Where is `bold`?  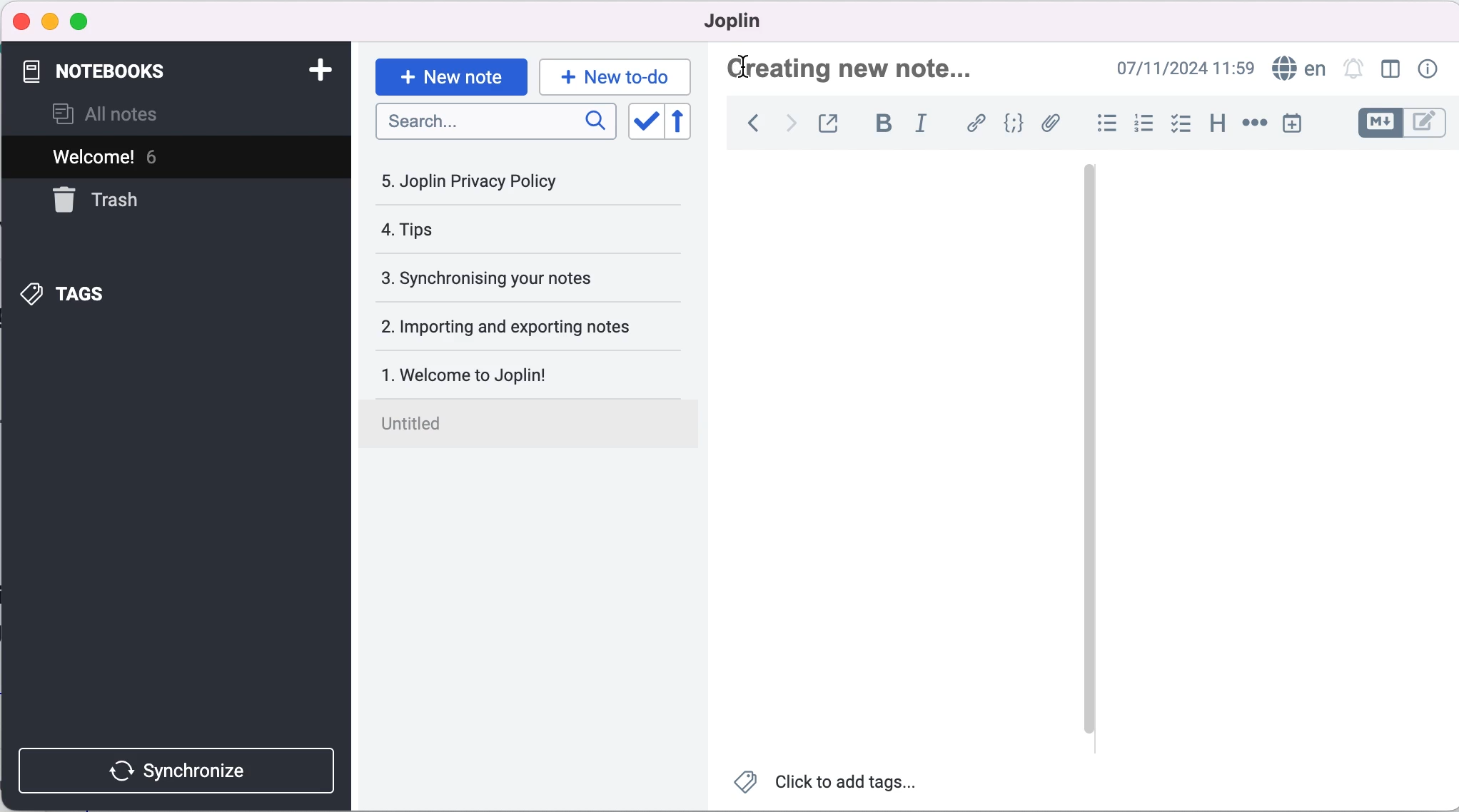 bold is located at coordinates (884, 124).